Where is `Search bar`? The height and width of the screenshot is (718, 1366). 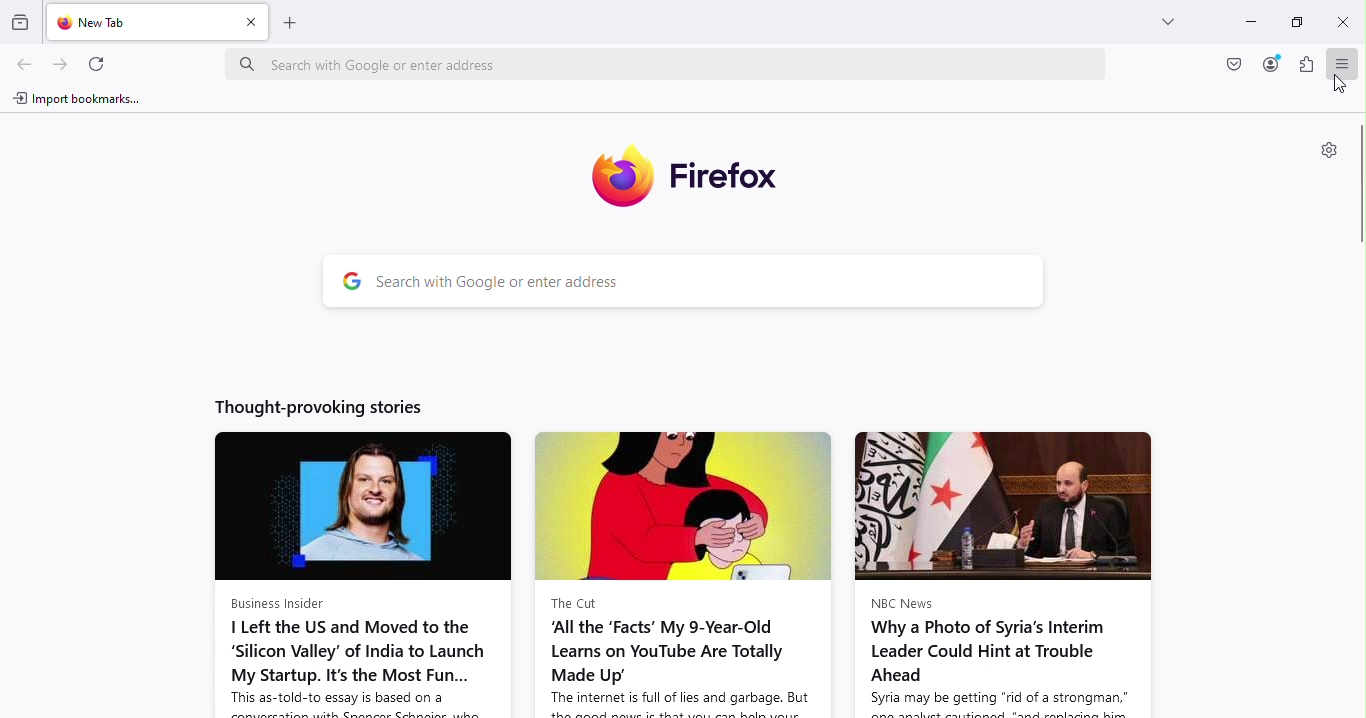 Search bar is located at coordinates (711, 282).